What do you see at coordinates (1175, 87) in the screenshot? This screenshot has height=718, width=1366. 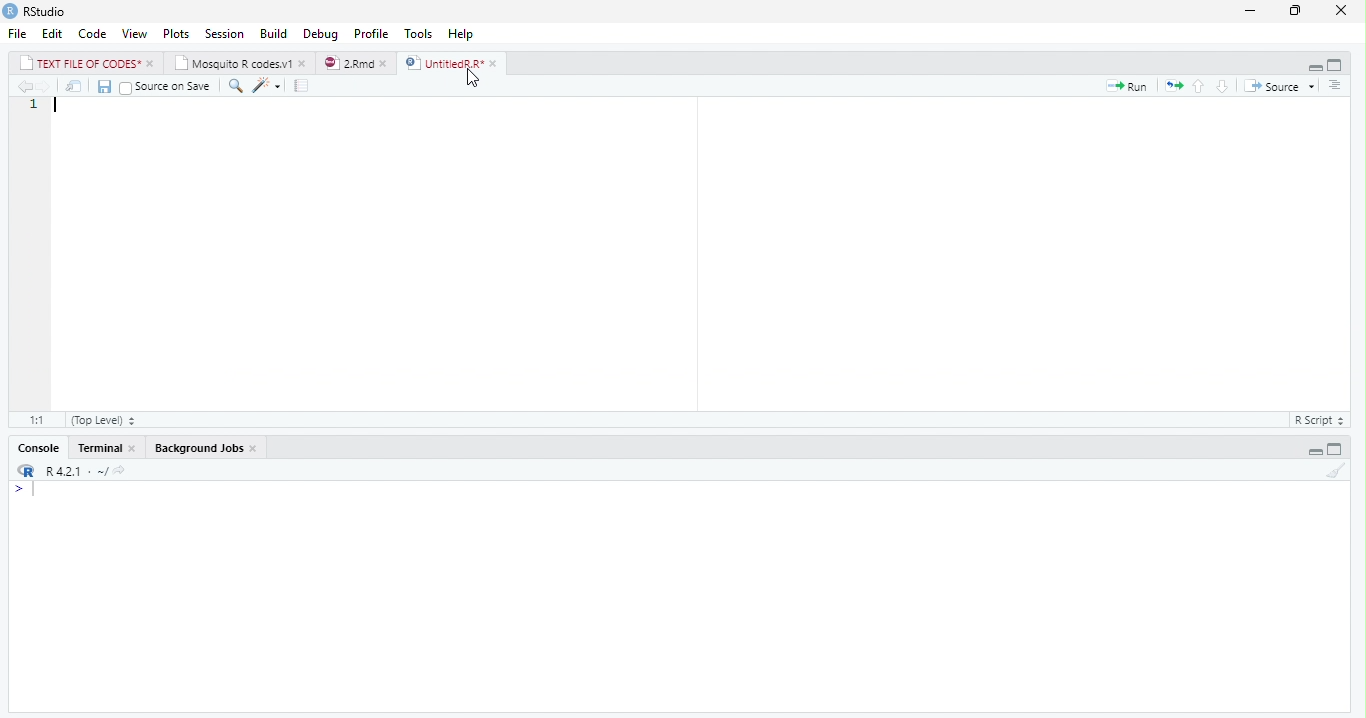 I see `re-run the previous section` at bounding box center [1175, 87].